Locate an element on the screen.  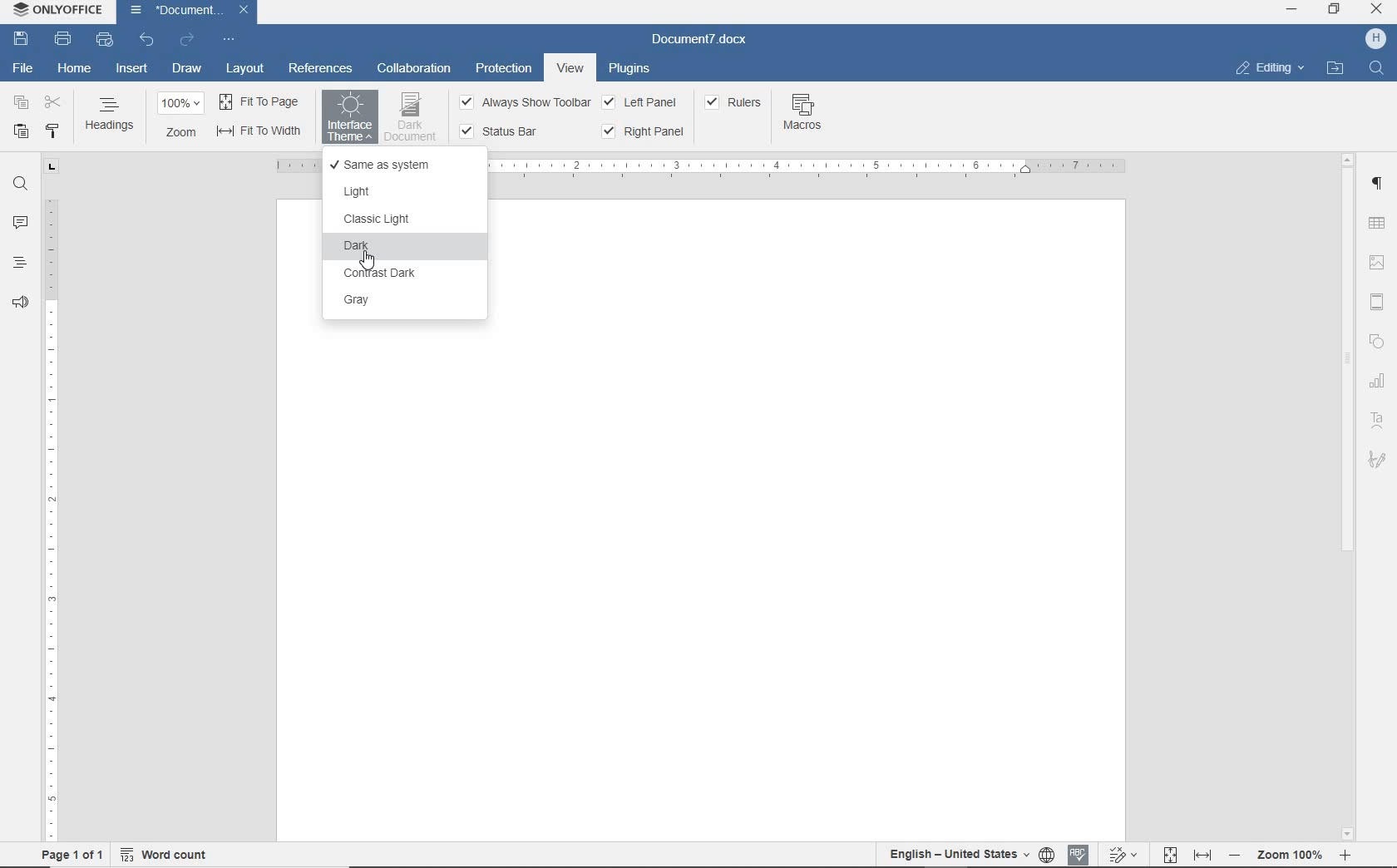
FIT TO WIDTH is located at coordinates (1203, 854).